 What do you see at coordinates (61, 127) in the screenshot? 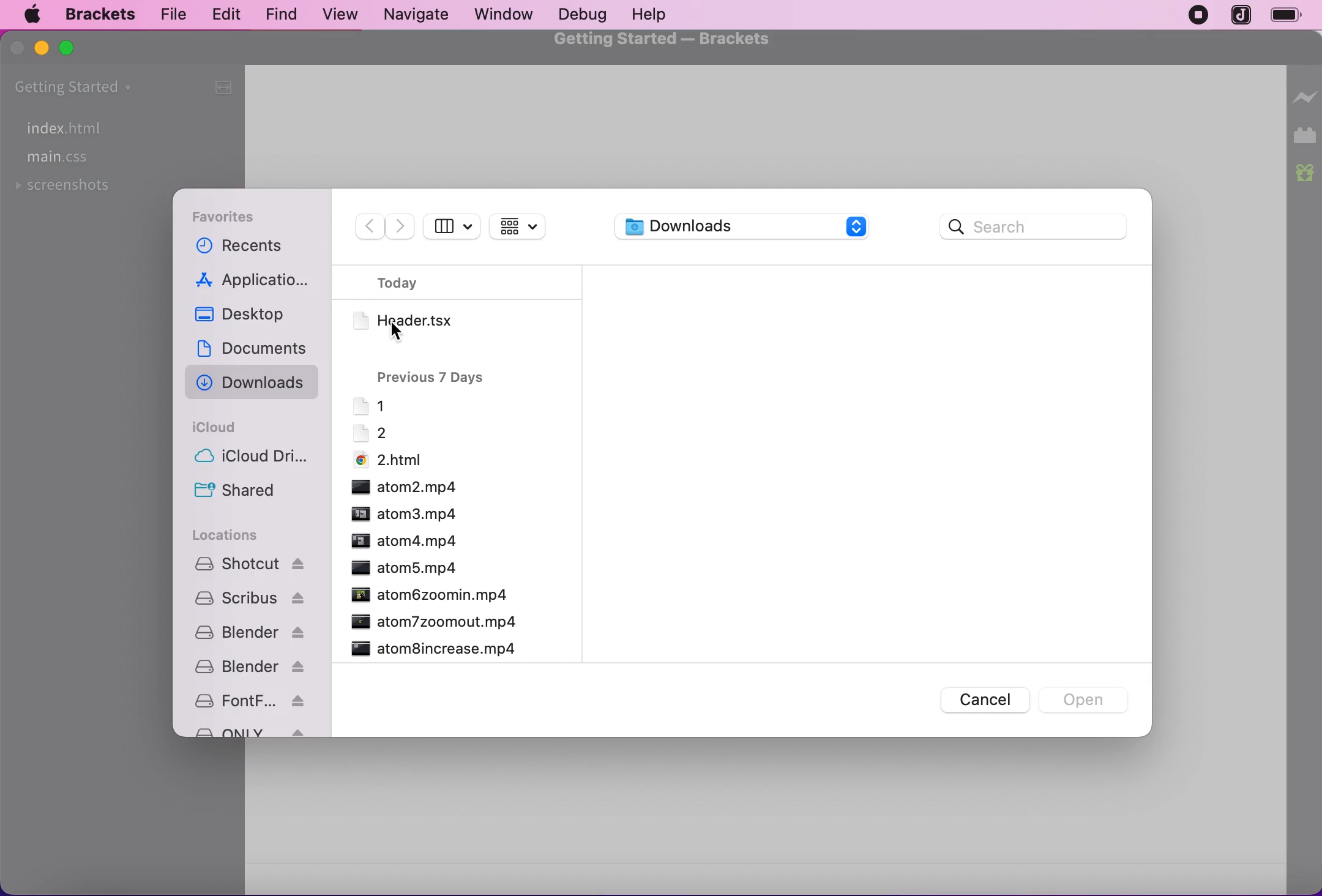
I see `index.html` at bounding box center [61, 127].